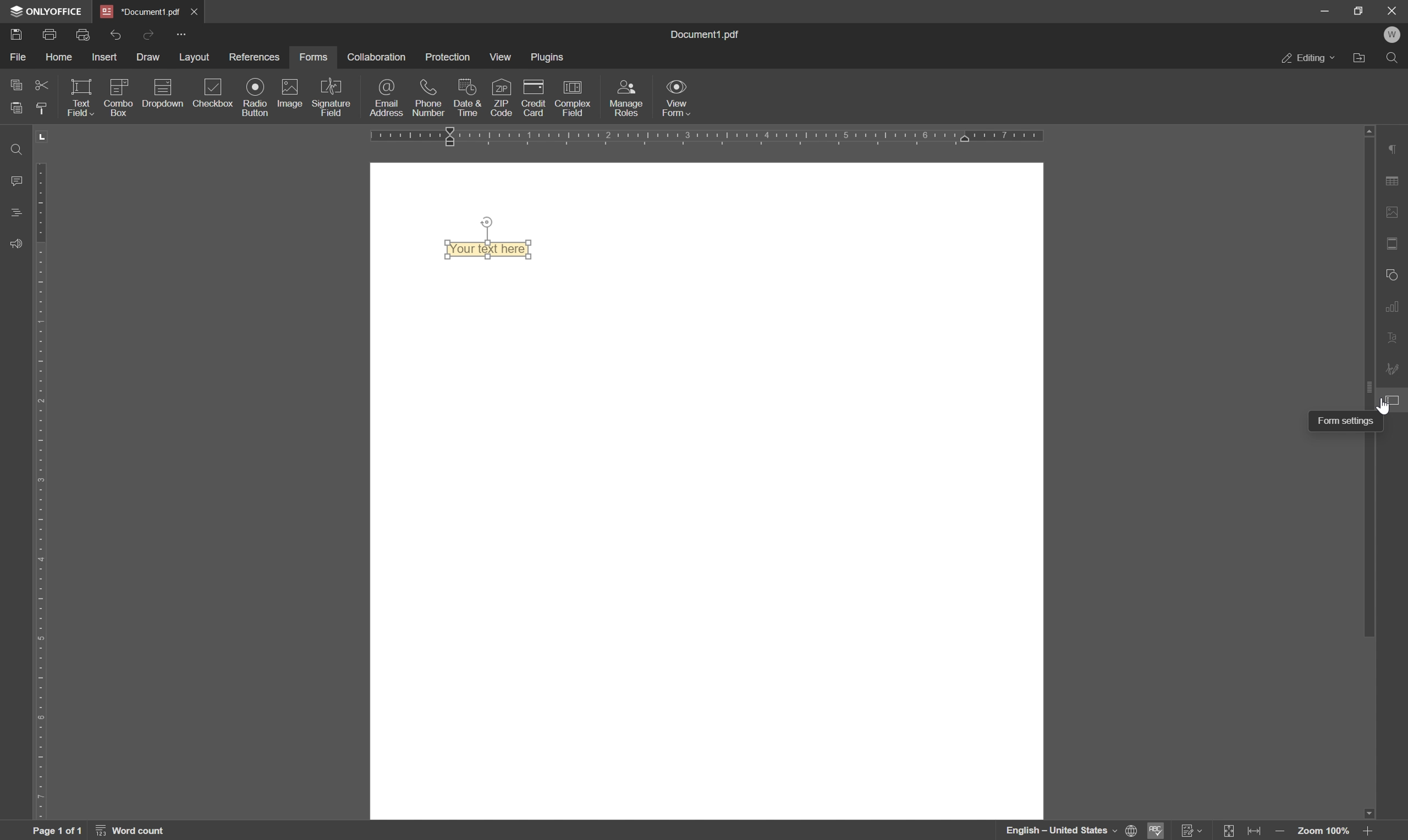  Describe the element at coordinates (1347, 421) in the screenshot. I see `form settings` at that location.